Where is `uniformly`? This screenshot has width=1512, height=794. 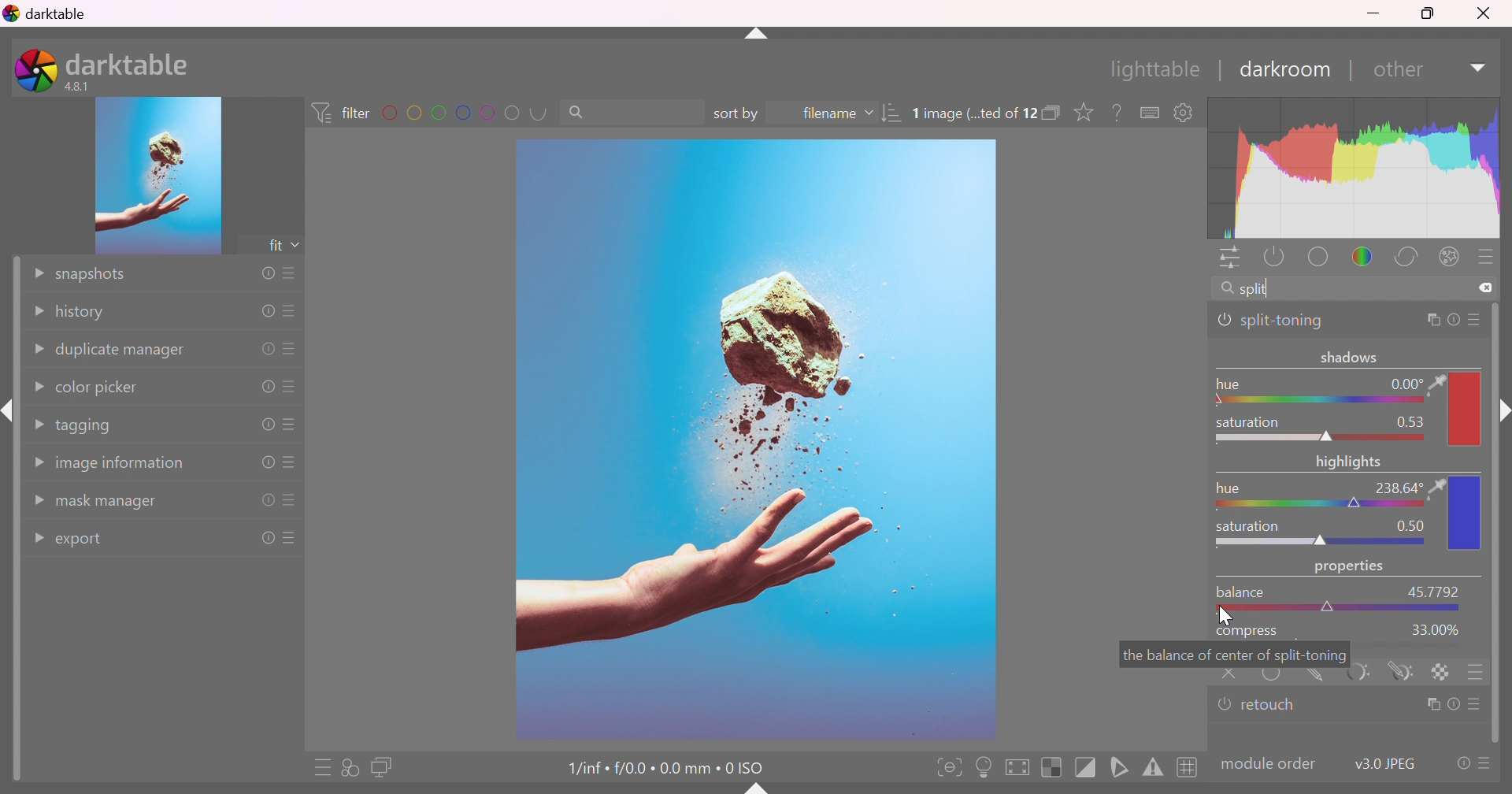 uniformly is located at coordinates (1275, 676).